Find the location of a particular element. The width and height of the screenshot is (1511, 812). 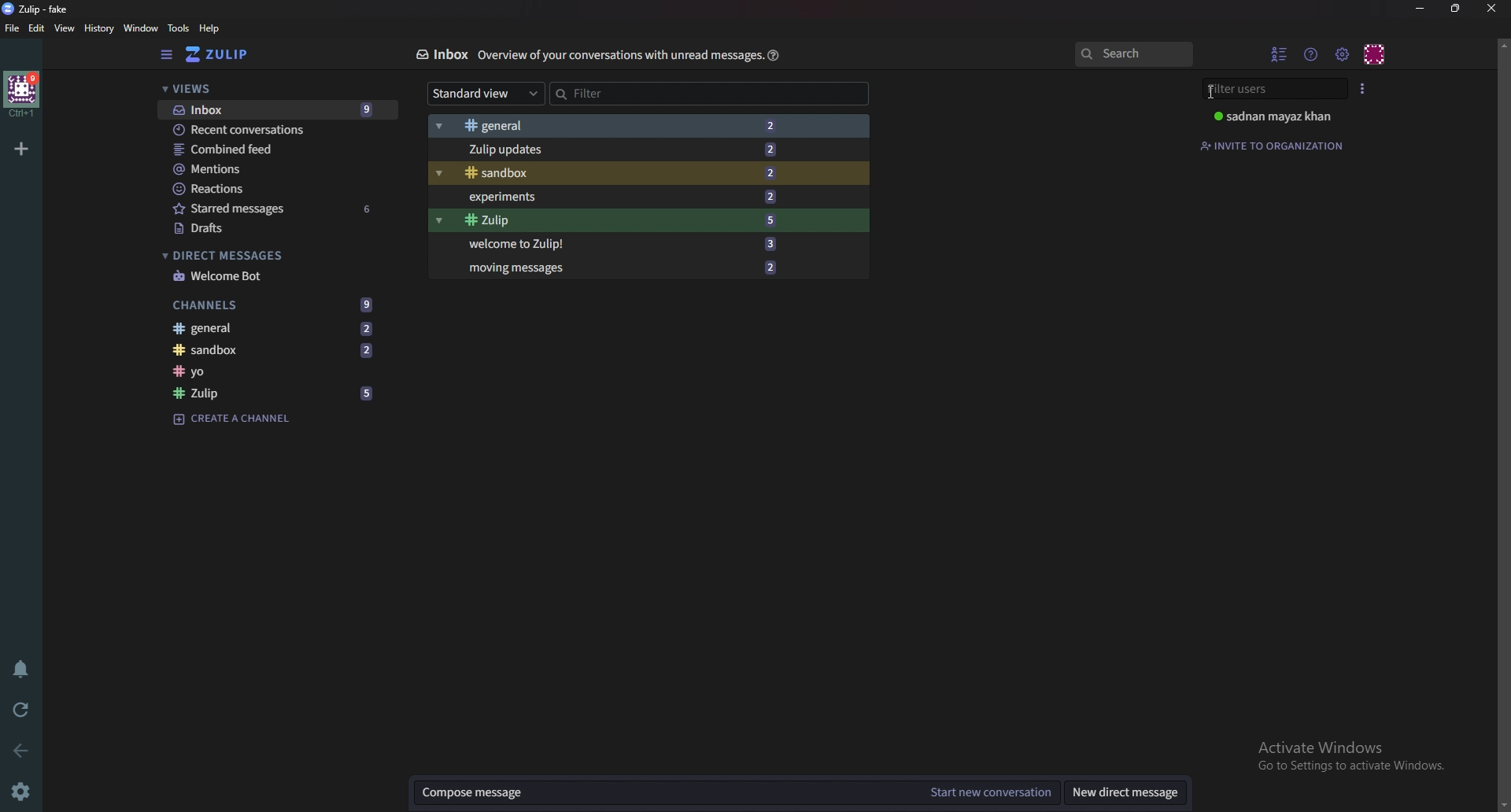

history is located at coordinates (96, 28).